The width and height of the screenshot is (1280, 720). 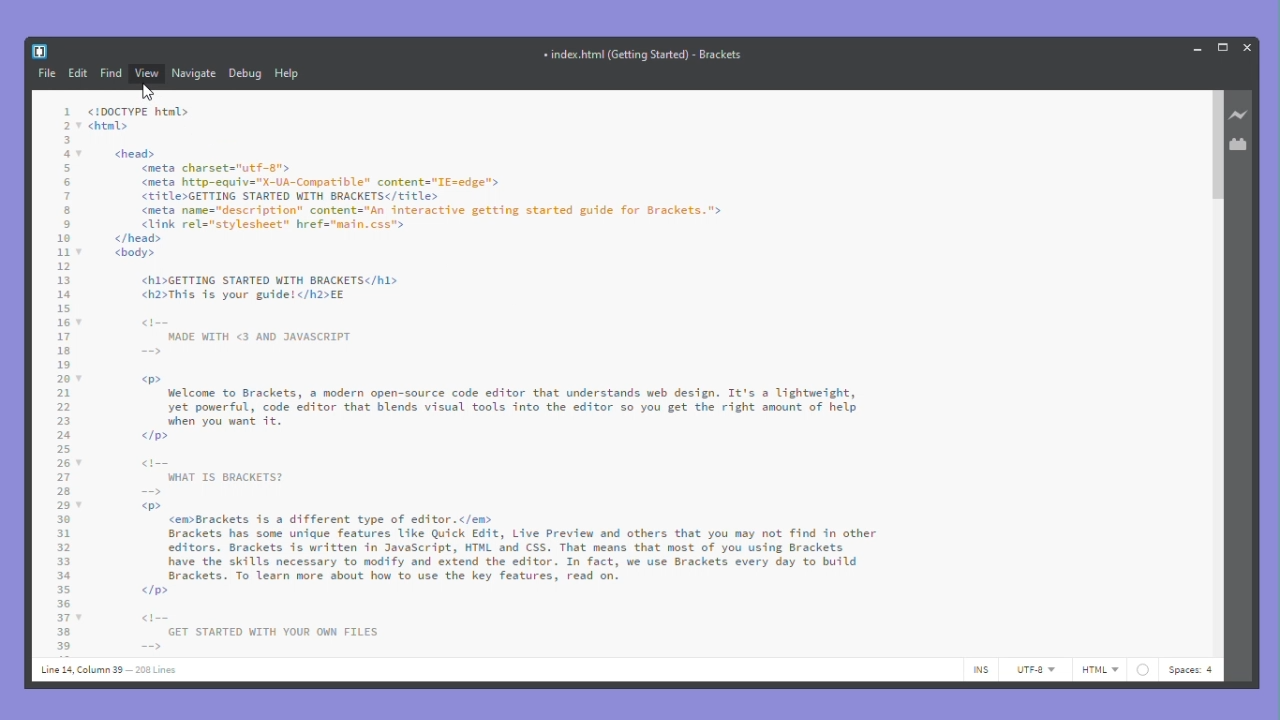 What do you see at coordinates (501, 408) in the screenshot?
I see `<p> Welcome to Brackets, a modern open-source code editor that understands web design. It's a lightweight, yet powerful, code editor that blends visual tools into the editor so you get the right amount of help when you want it.</p>` at bounding box center [501, 408].